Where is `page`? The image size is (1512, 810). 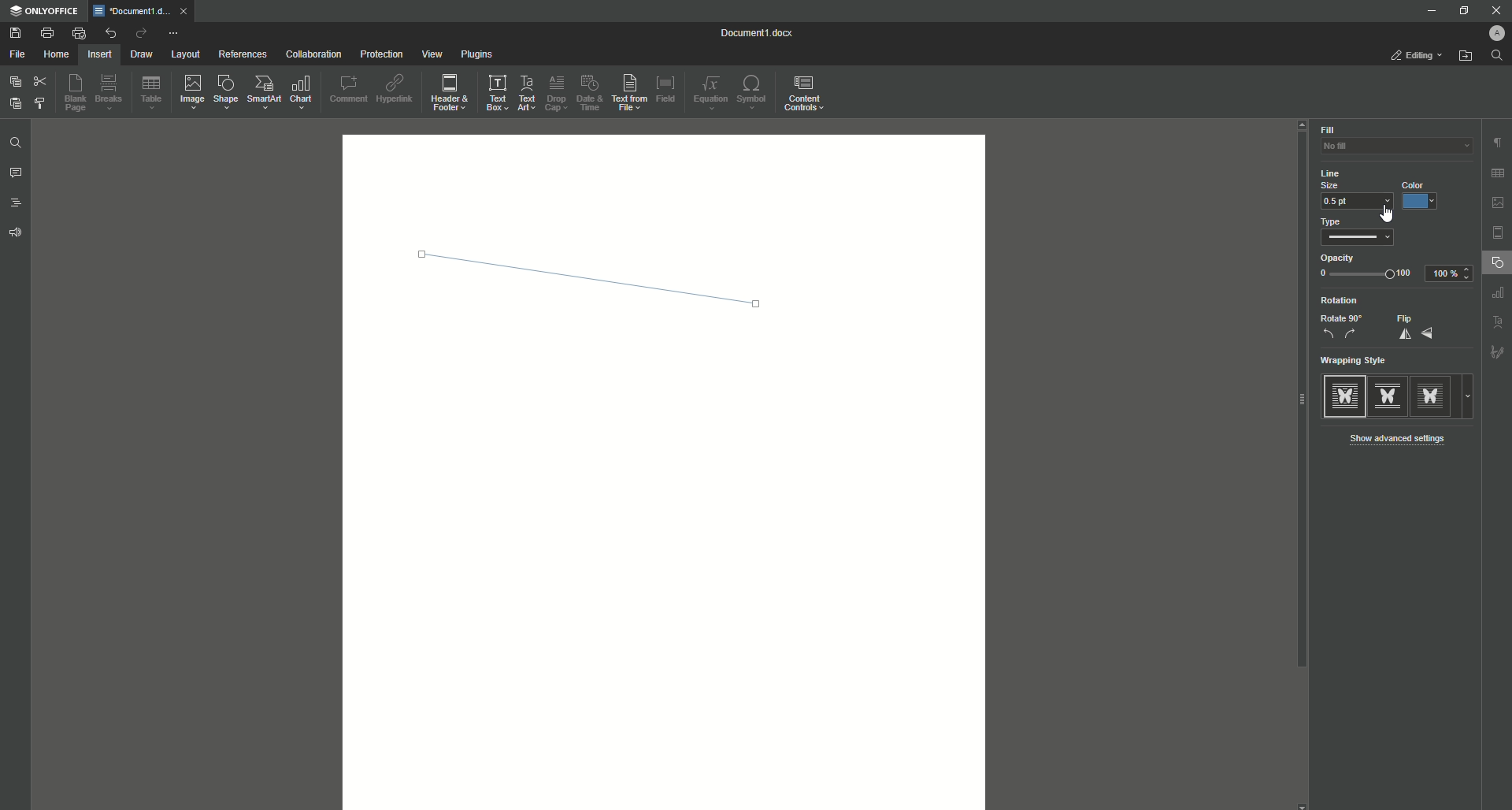
page is located at coordinates (1499, 232).